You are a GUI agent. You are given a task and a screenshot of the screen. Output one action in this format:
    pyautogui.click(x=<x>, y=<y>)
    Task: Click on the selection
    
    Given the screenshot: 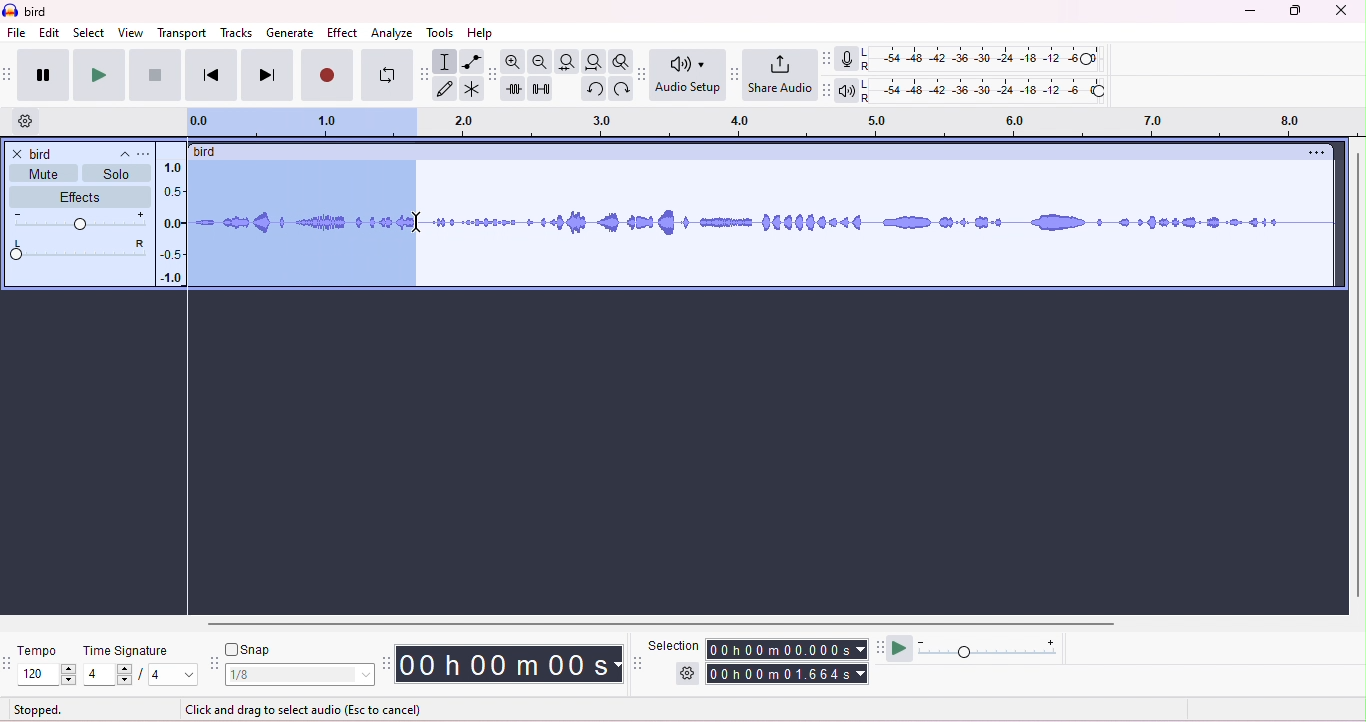 What is the action you would take?
    pyautogui.click(x=676, y=643)
    